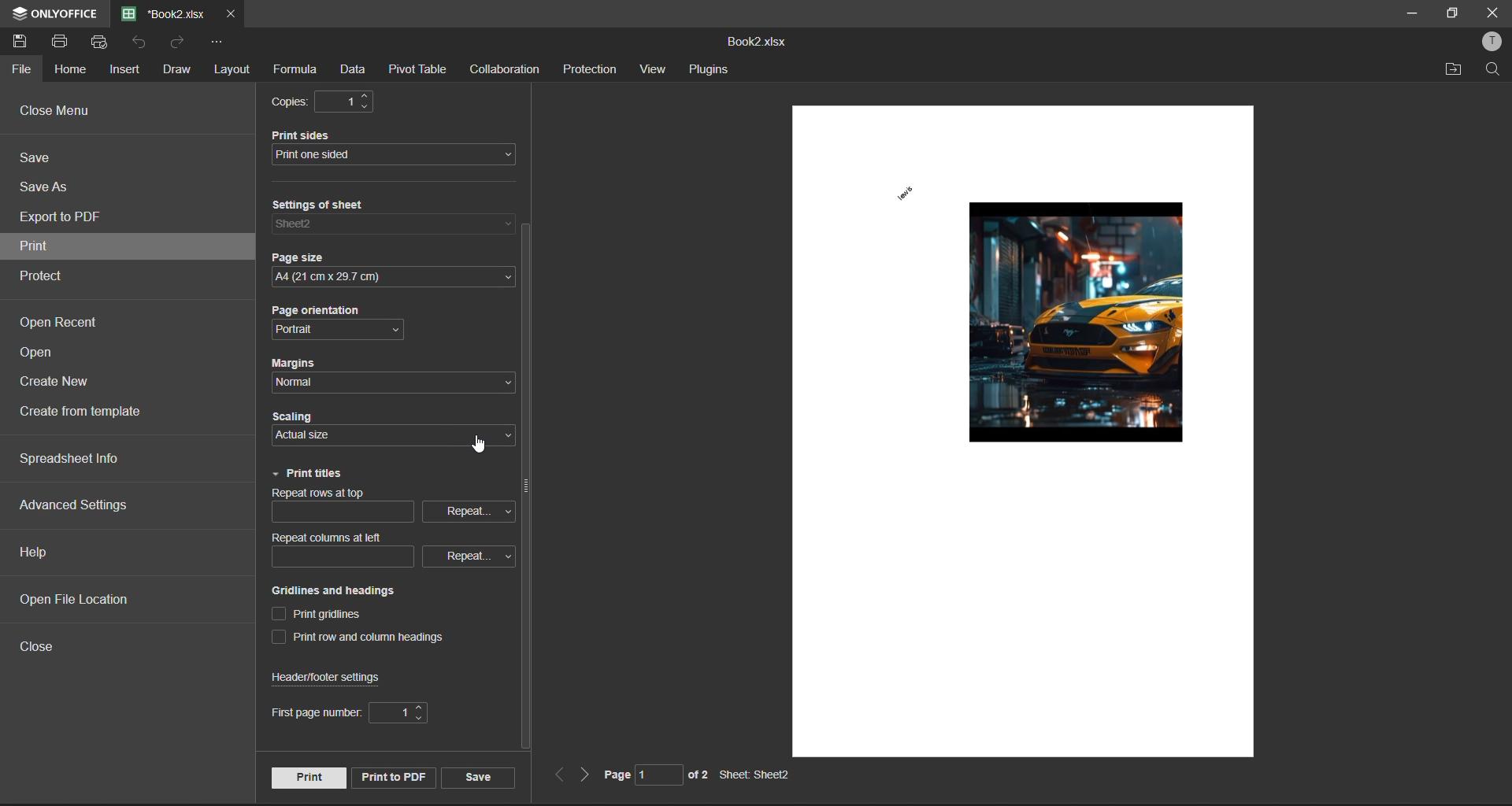  I want to click on repeat columns at left, so click(332, 538).